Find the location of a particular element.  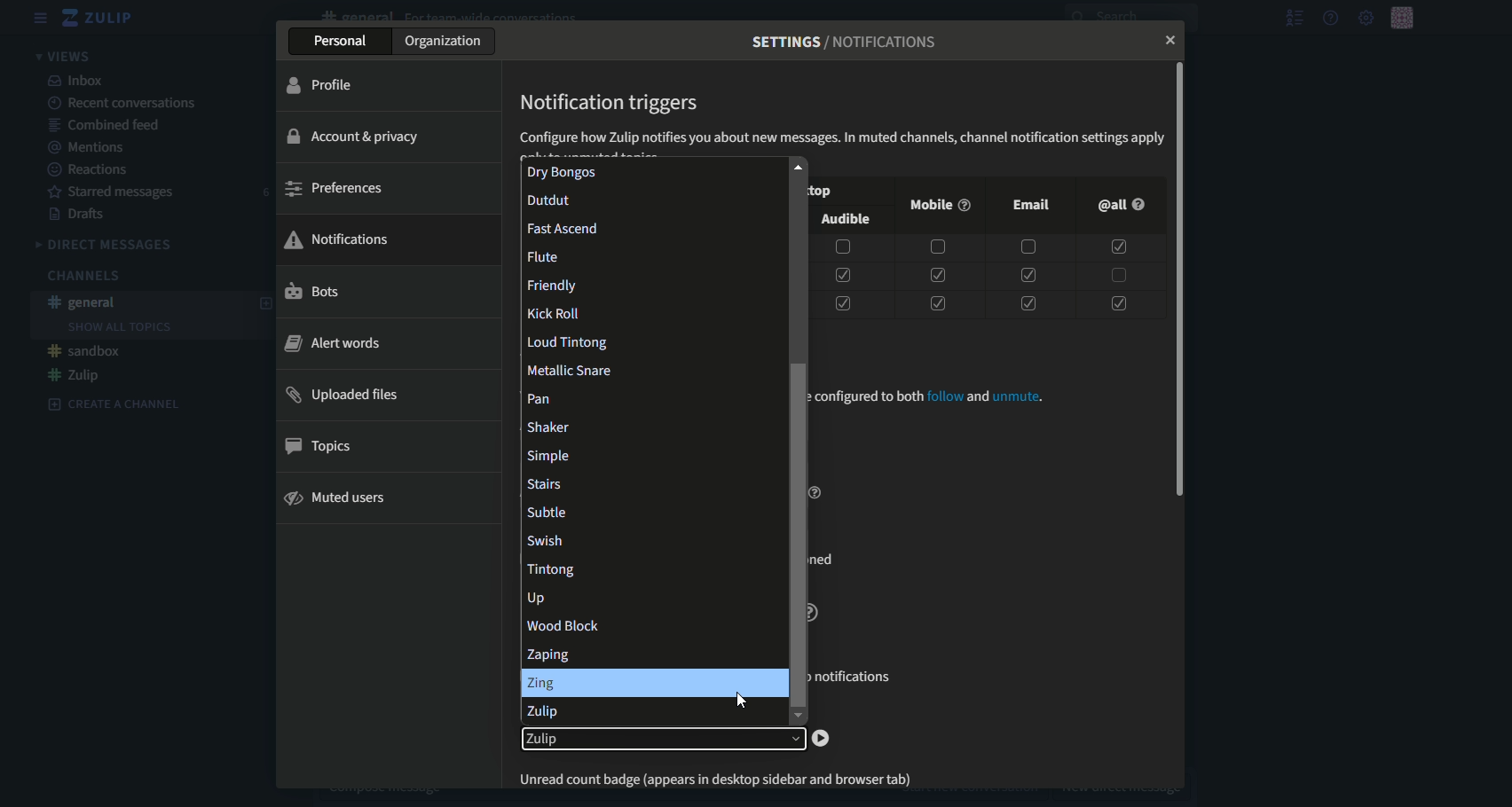

#sandbox is located at coordinates (86, 351).